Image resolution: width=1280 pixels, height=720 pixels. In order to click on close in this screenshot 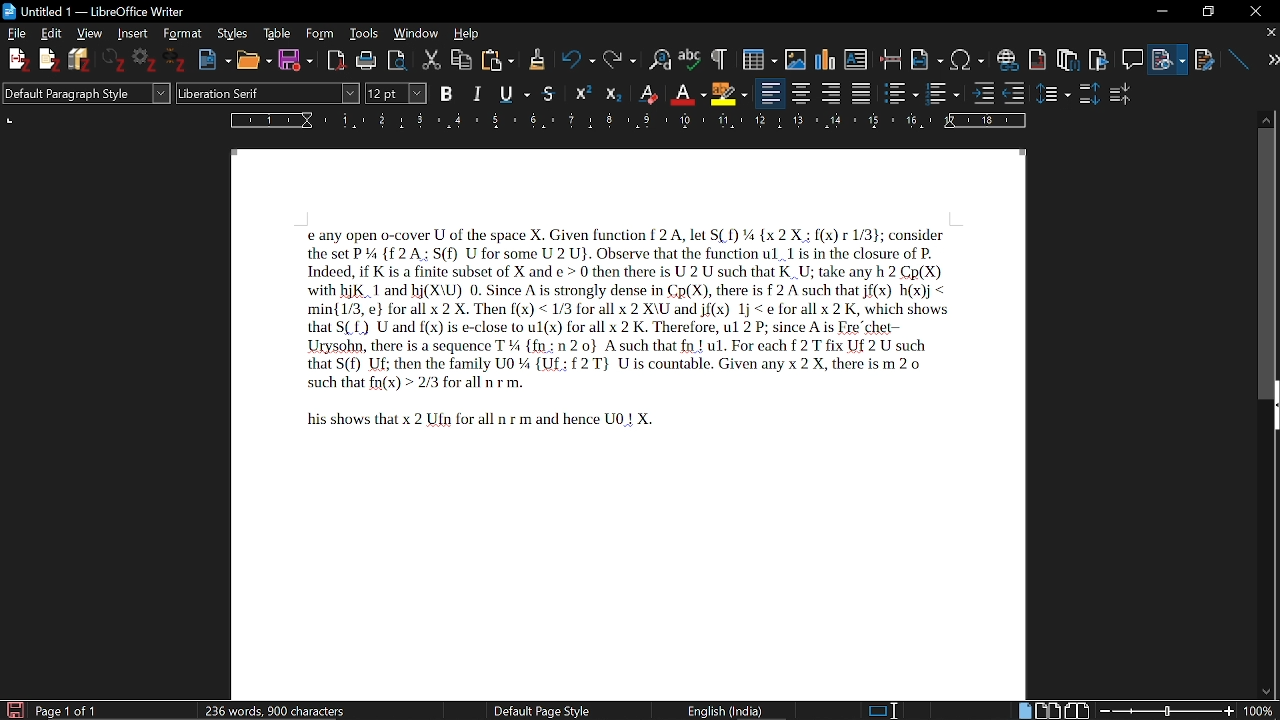, I will do `click(1269, 34)`.